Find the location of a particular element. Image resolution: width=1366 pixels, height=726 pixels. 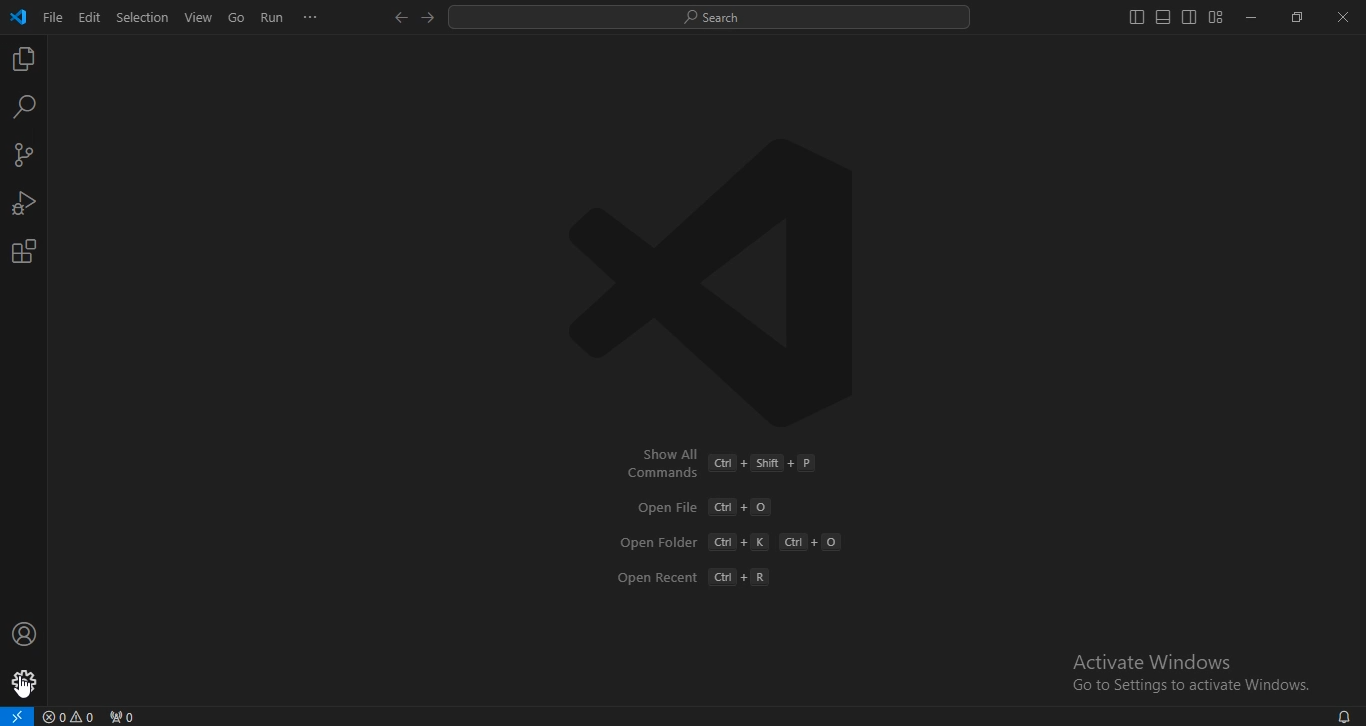

toggle secondary sidebar is located at coordinates (1189, 17).